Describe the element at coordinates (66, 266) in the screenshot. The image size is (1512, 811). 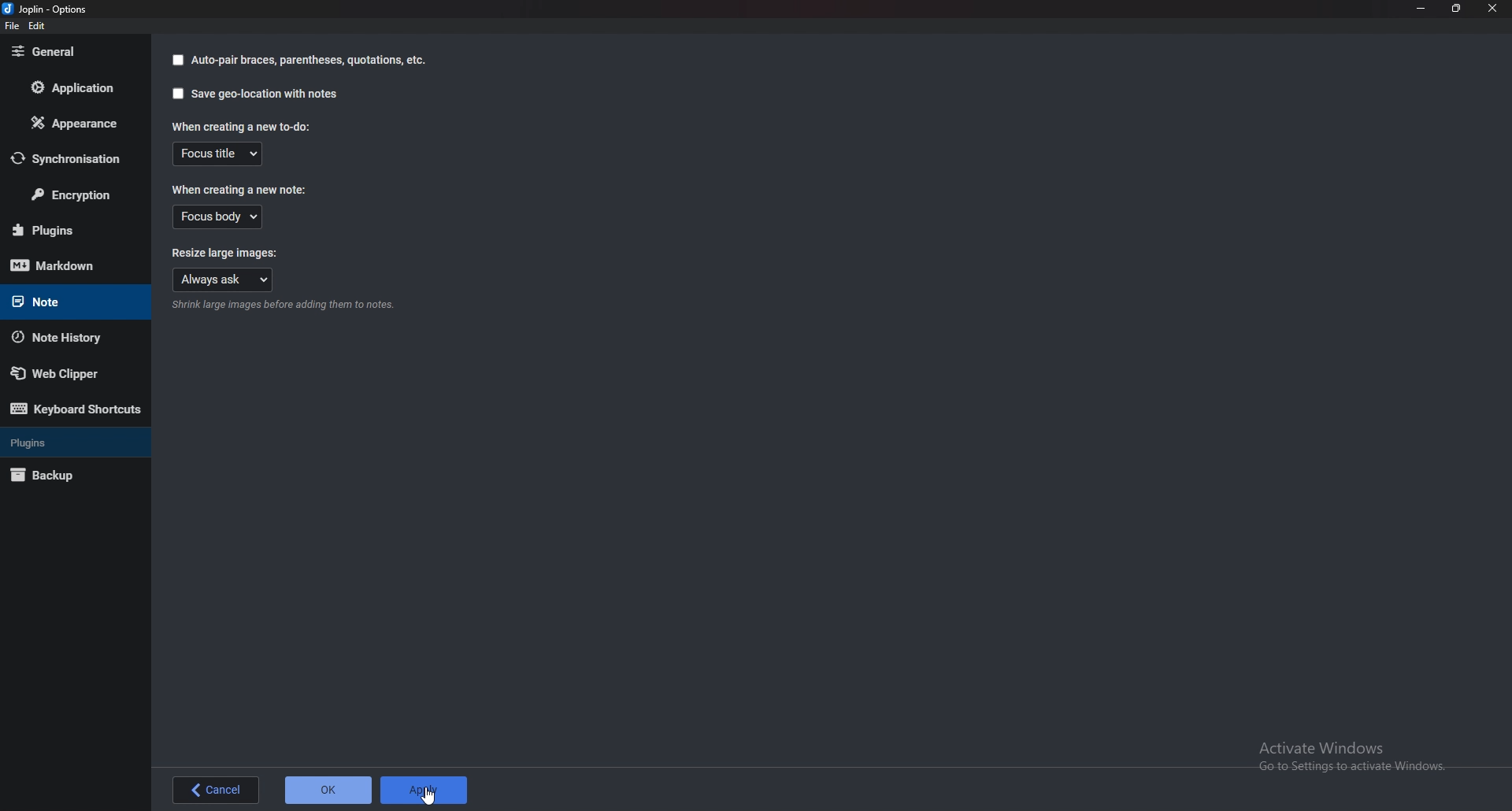
I see `Mark down` at that location.